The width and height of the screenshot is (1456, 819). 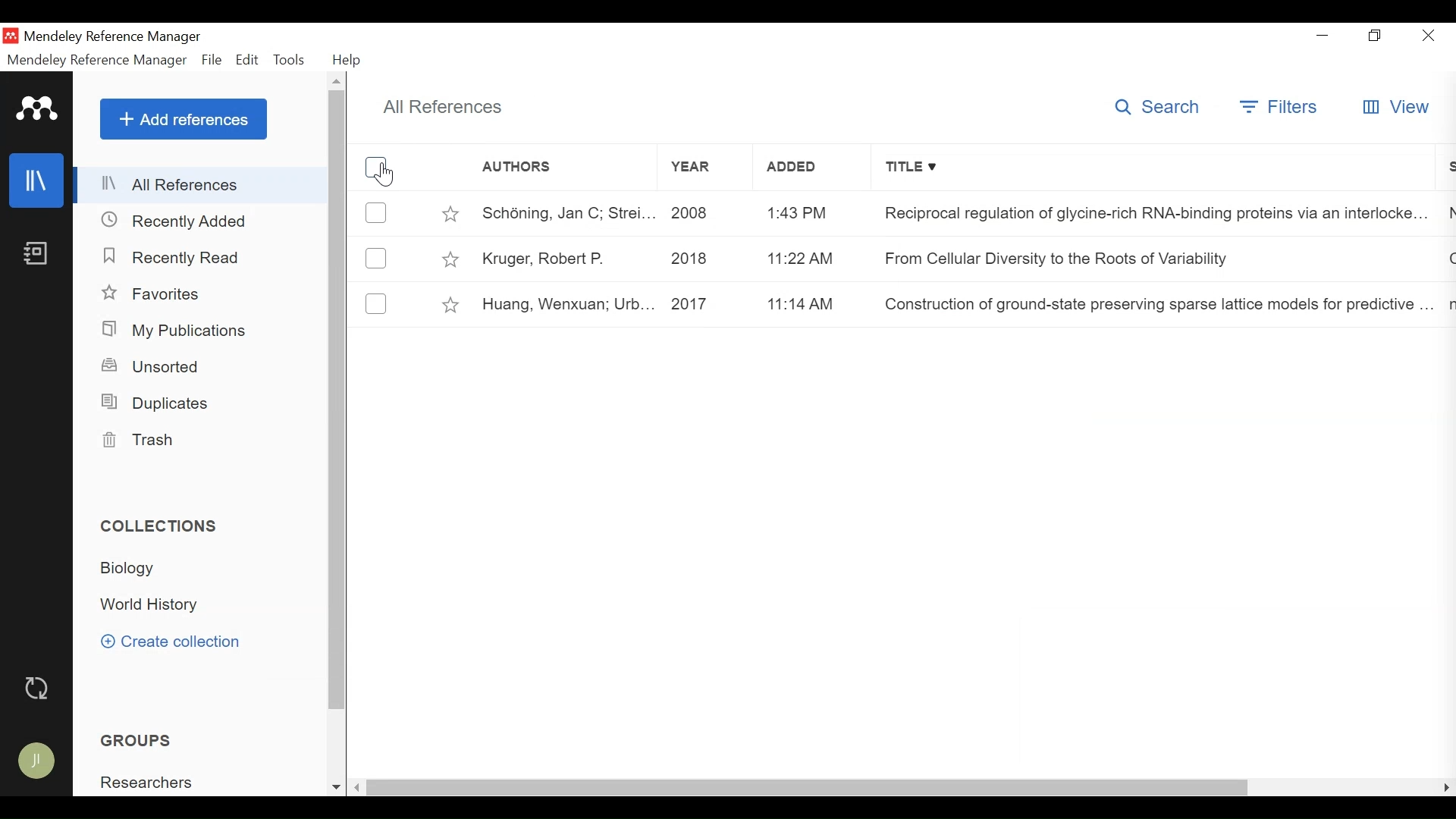 What do you see at coordinates (36, 180) in the screenshot?
I see `Library` at bounding box center [36, 180].